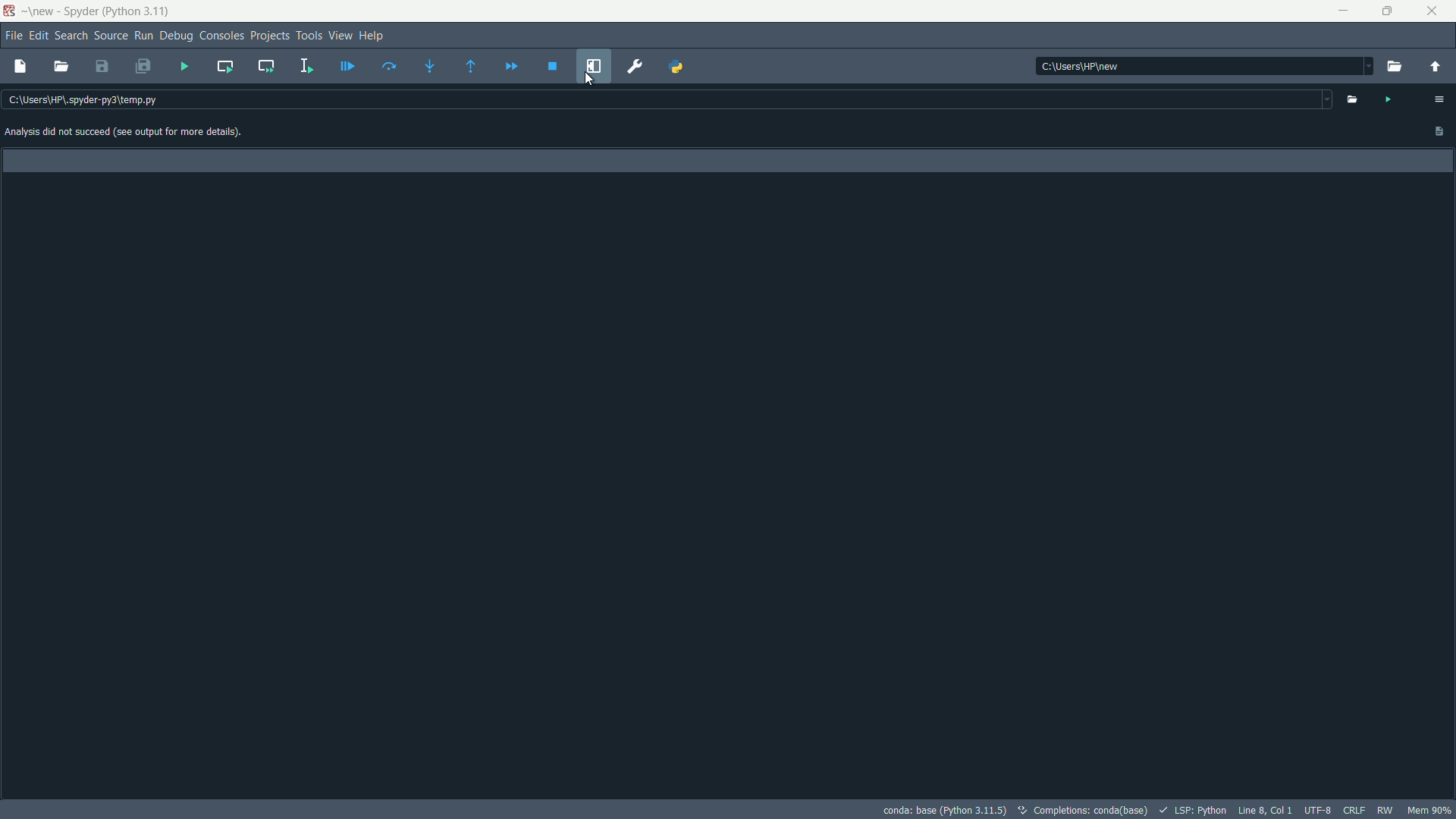  Describe the element at coordinates (71, 36) in the screenshot. I see `search menu` at that location.